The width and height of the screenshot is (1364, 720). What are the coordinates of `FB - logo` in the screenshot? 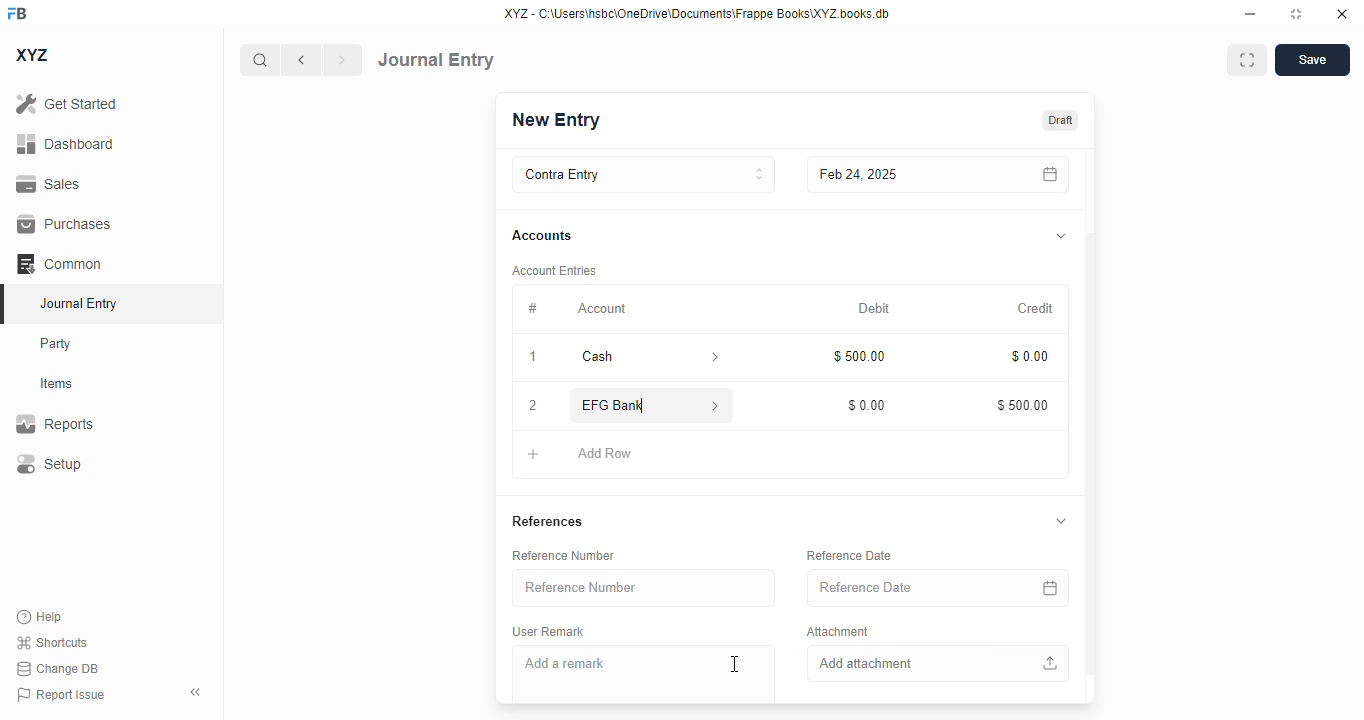 It's located at (17, 13).